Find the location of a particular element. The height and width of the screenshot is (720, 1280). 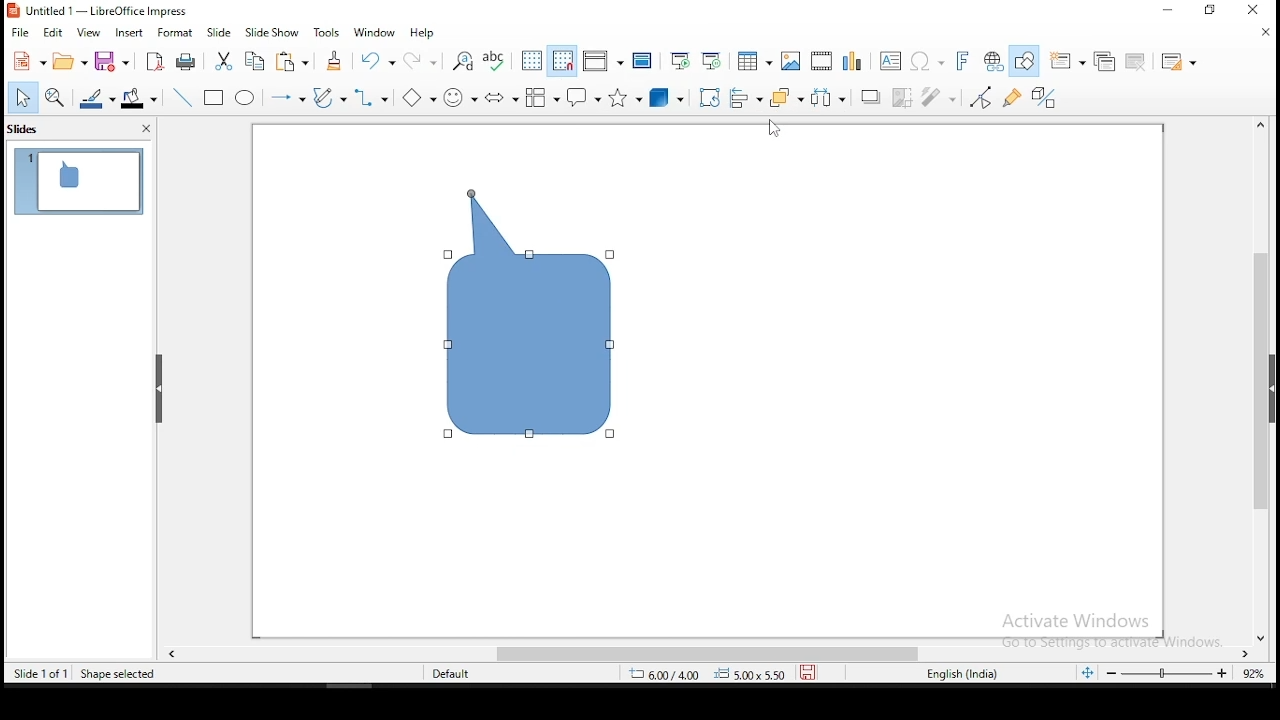

save is located at coordinates (811, 672).